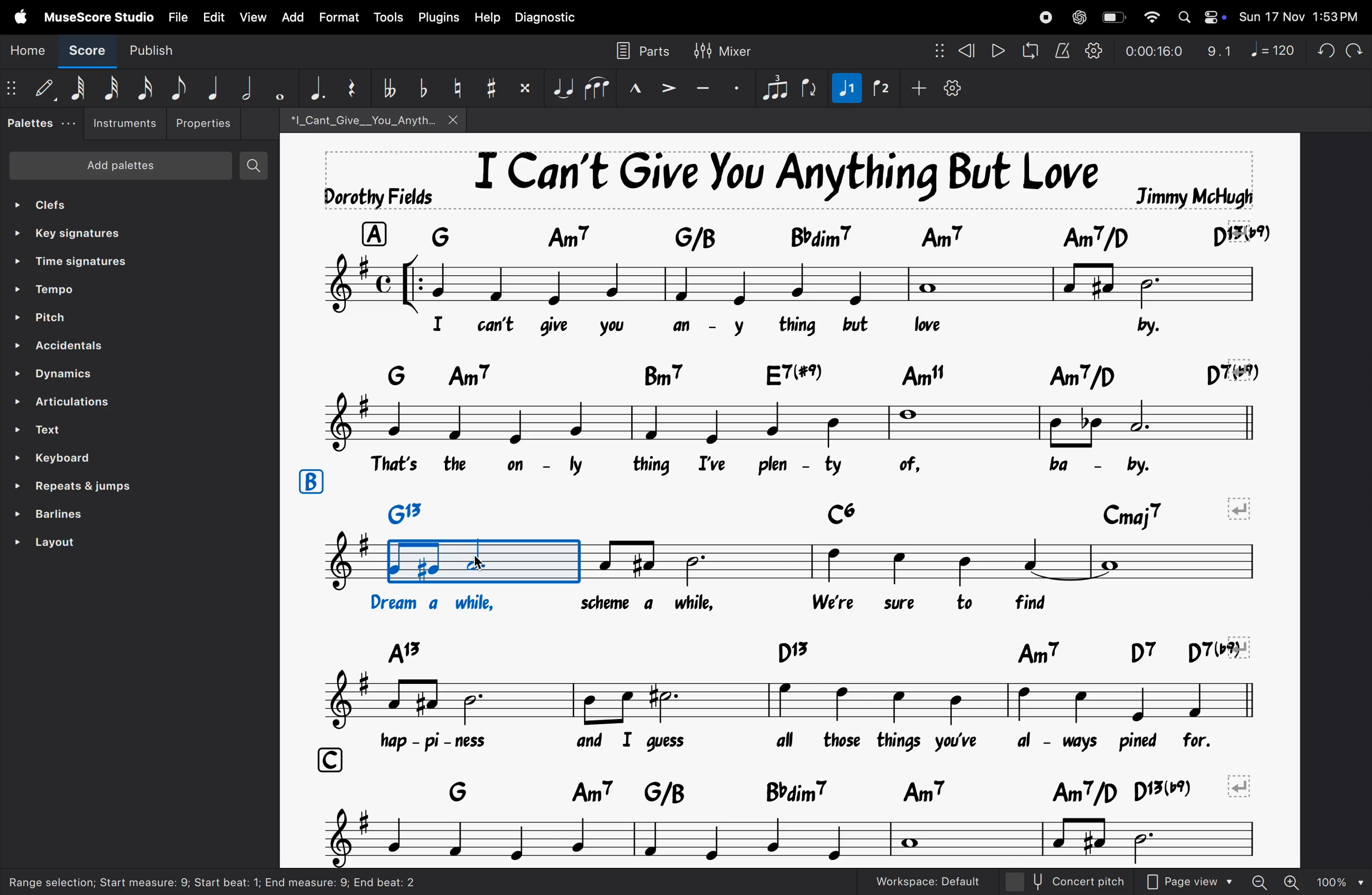  I want to click on plugins, so click(437, 17).